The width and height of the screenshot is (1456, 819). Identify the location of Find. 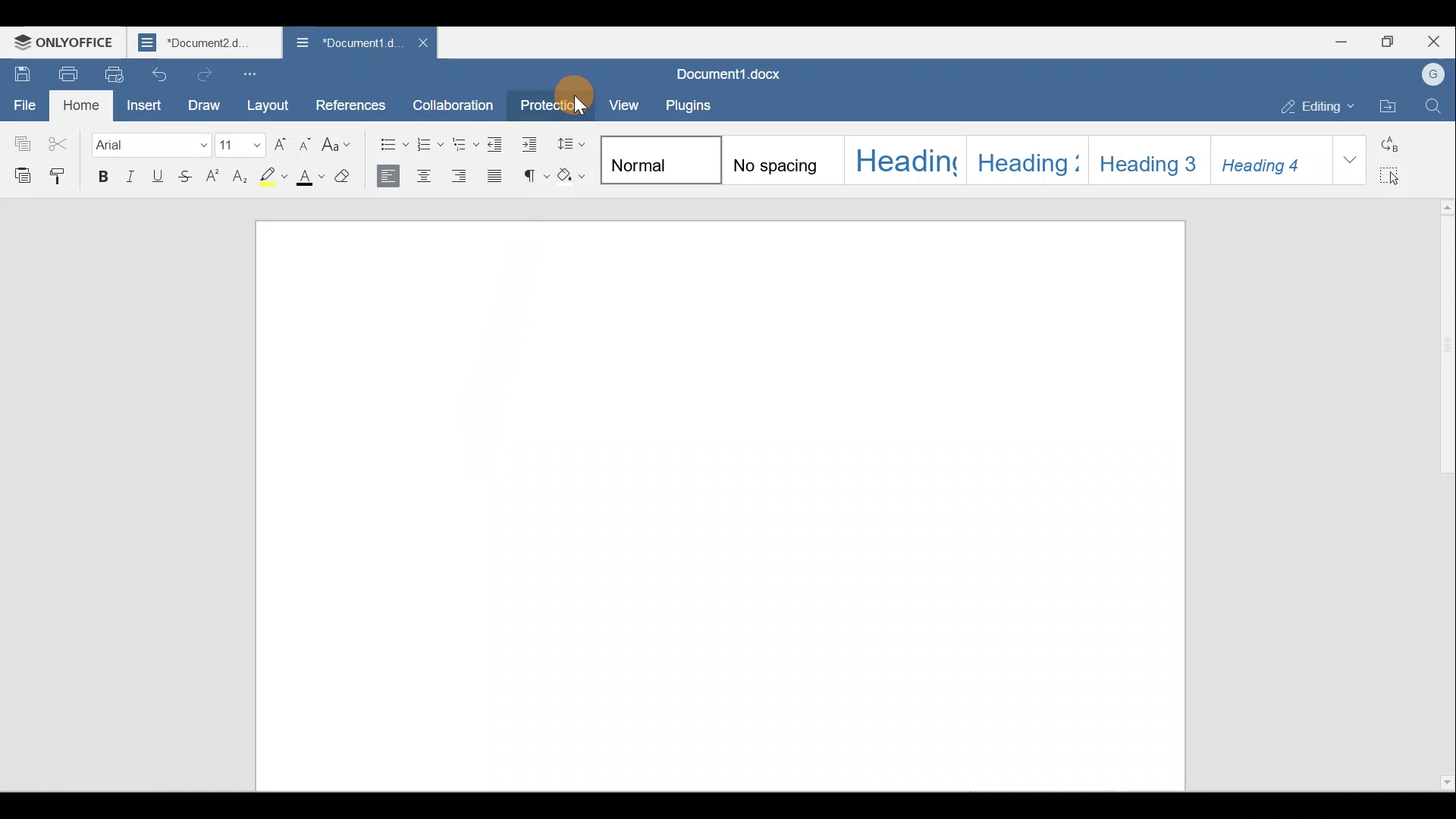
(1434, 107).